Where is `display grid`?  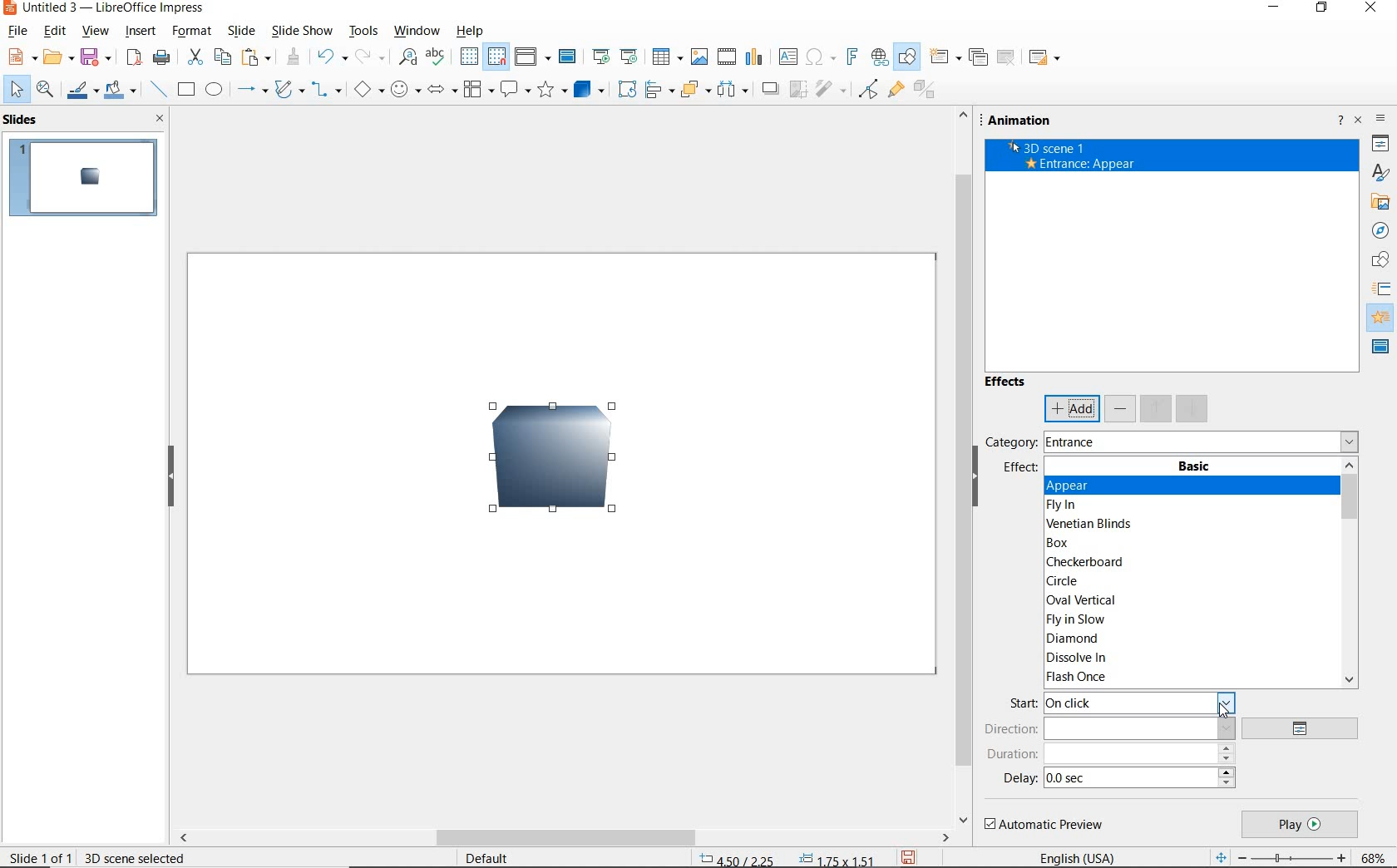 display grid is located at coordinates (468, 56).